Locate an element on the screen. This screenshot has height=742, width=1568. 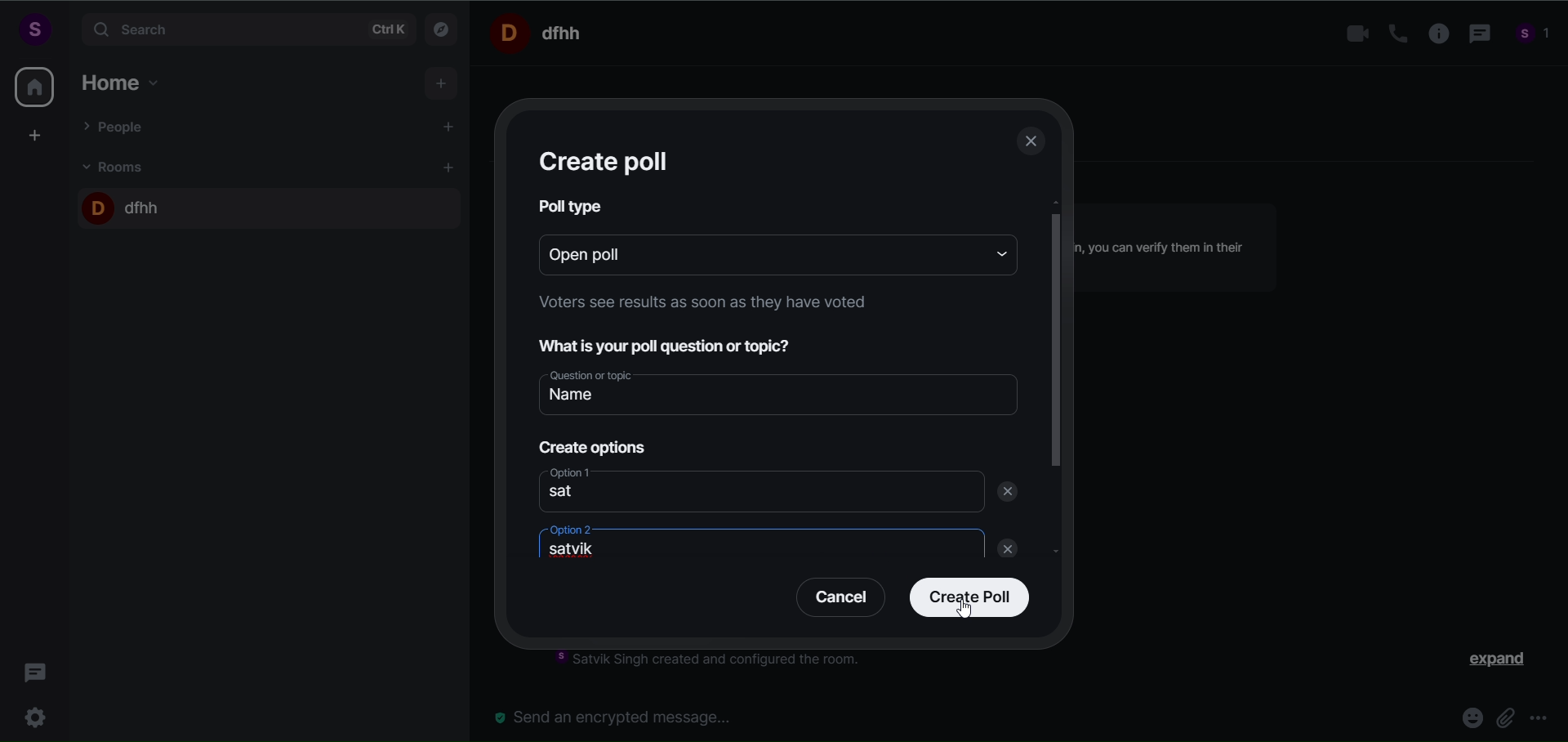
attachment is located at coordinates (1507, 718).